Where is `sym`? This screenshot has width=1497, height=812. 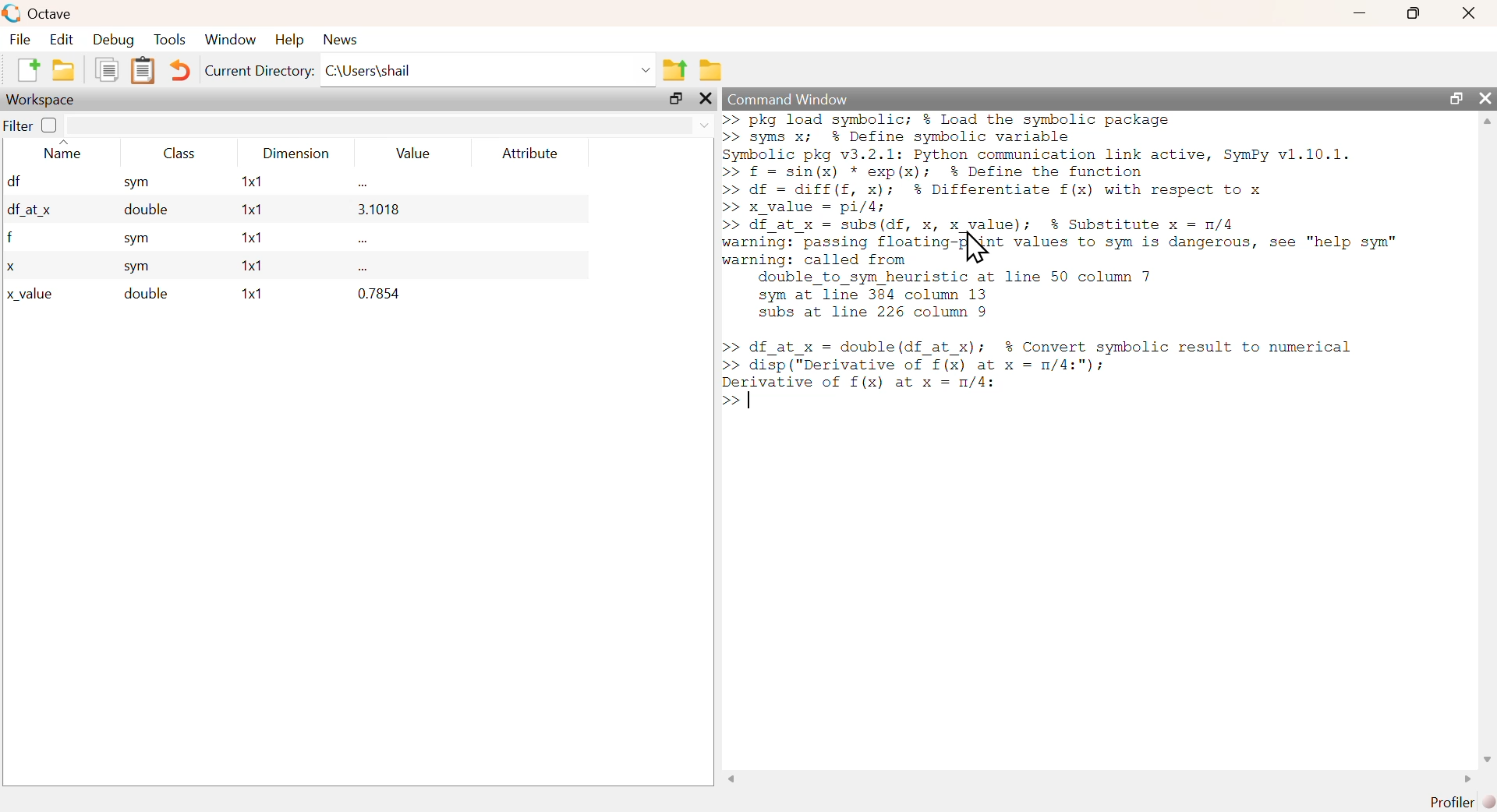 sym is located at coordinates (136, 183).